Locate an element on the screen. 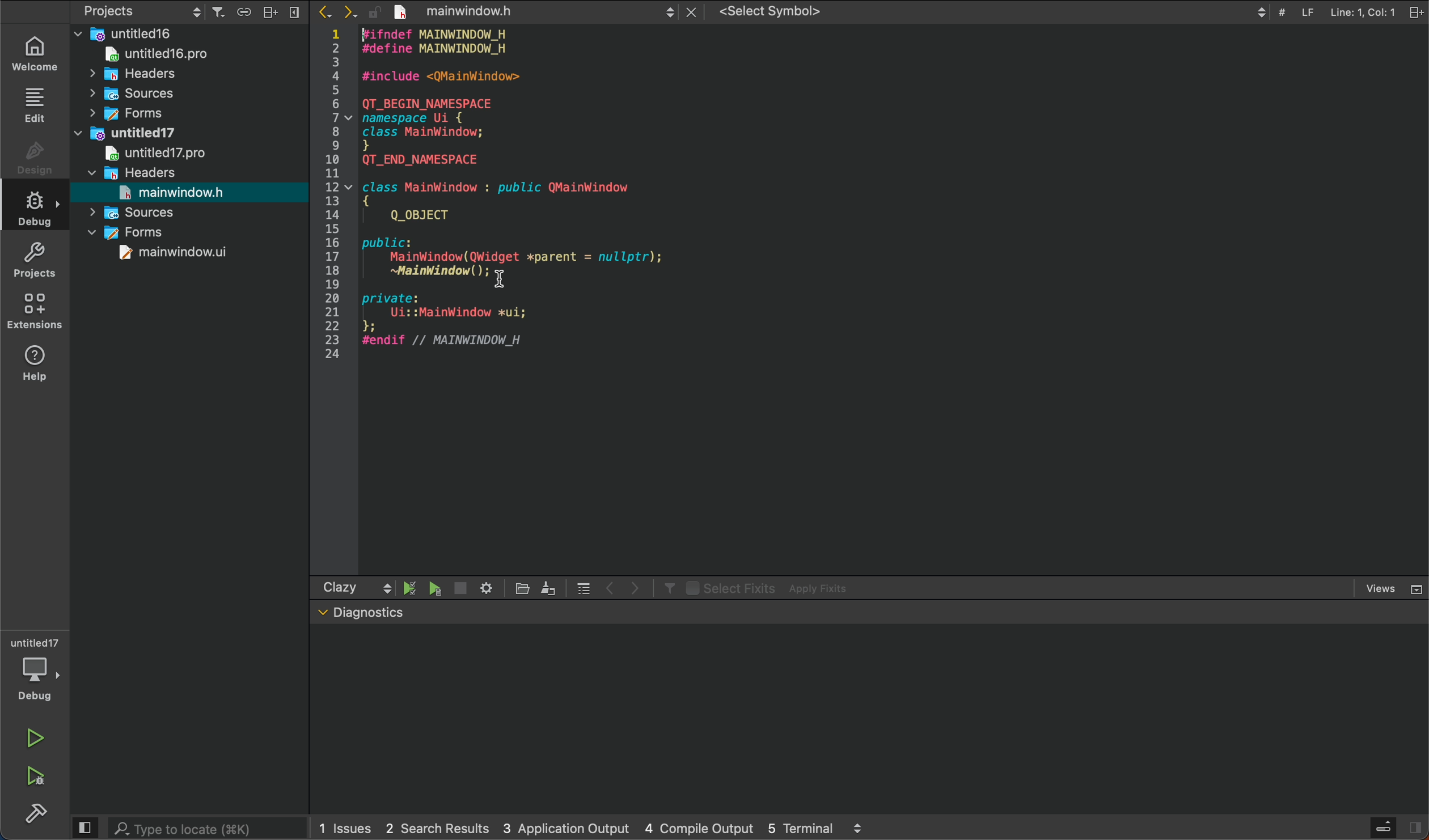 Image resolution: width=1429 pixels, height=840 pixels. Lock is located at coordinates (376, 13).